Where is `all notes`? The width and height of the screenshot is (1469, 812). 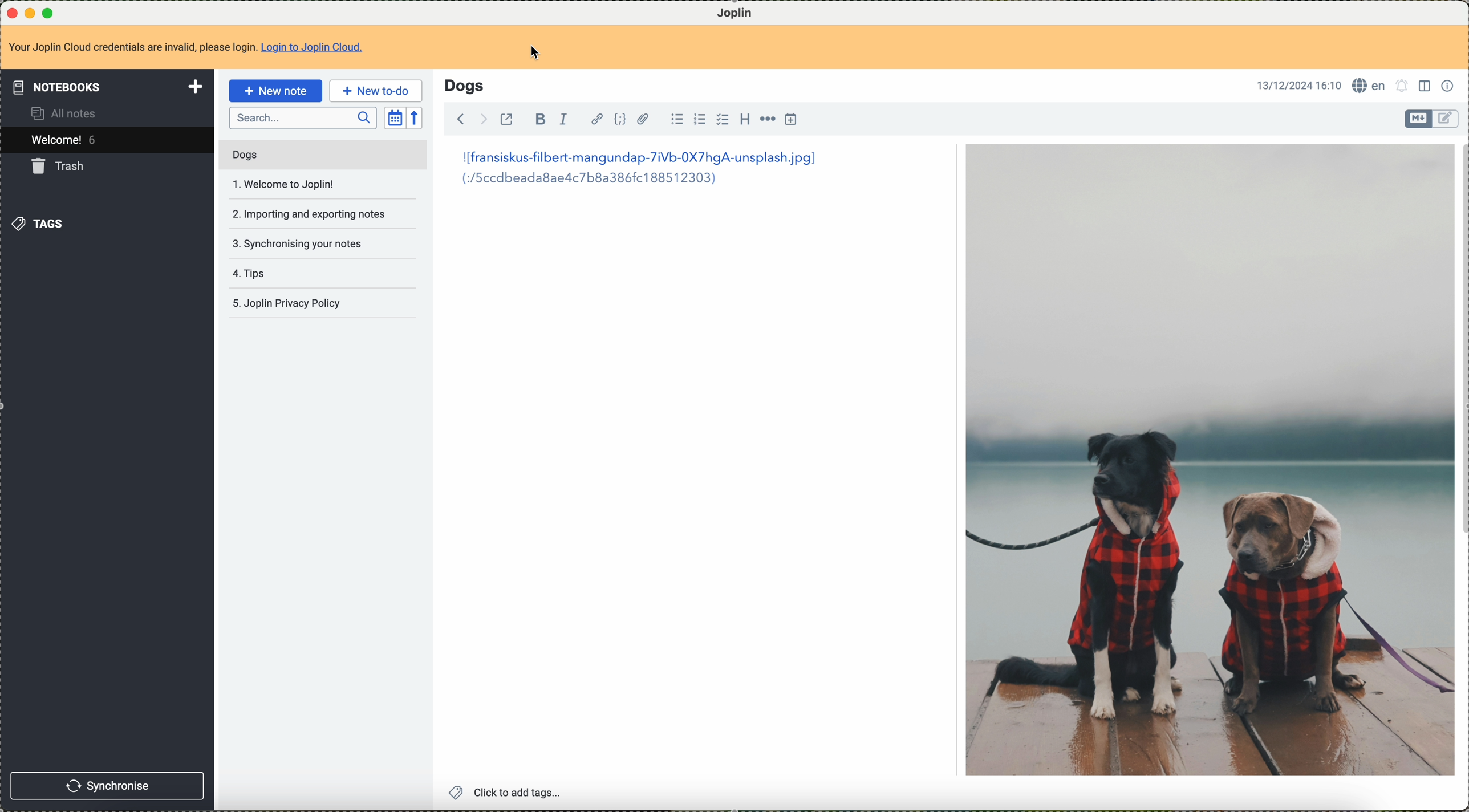
all notes is located at coordinates (66, 113).